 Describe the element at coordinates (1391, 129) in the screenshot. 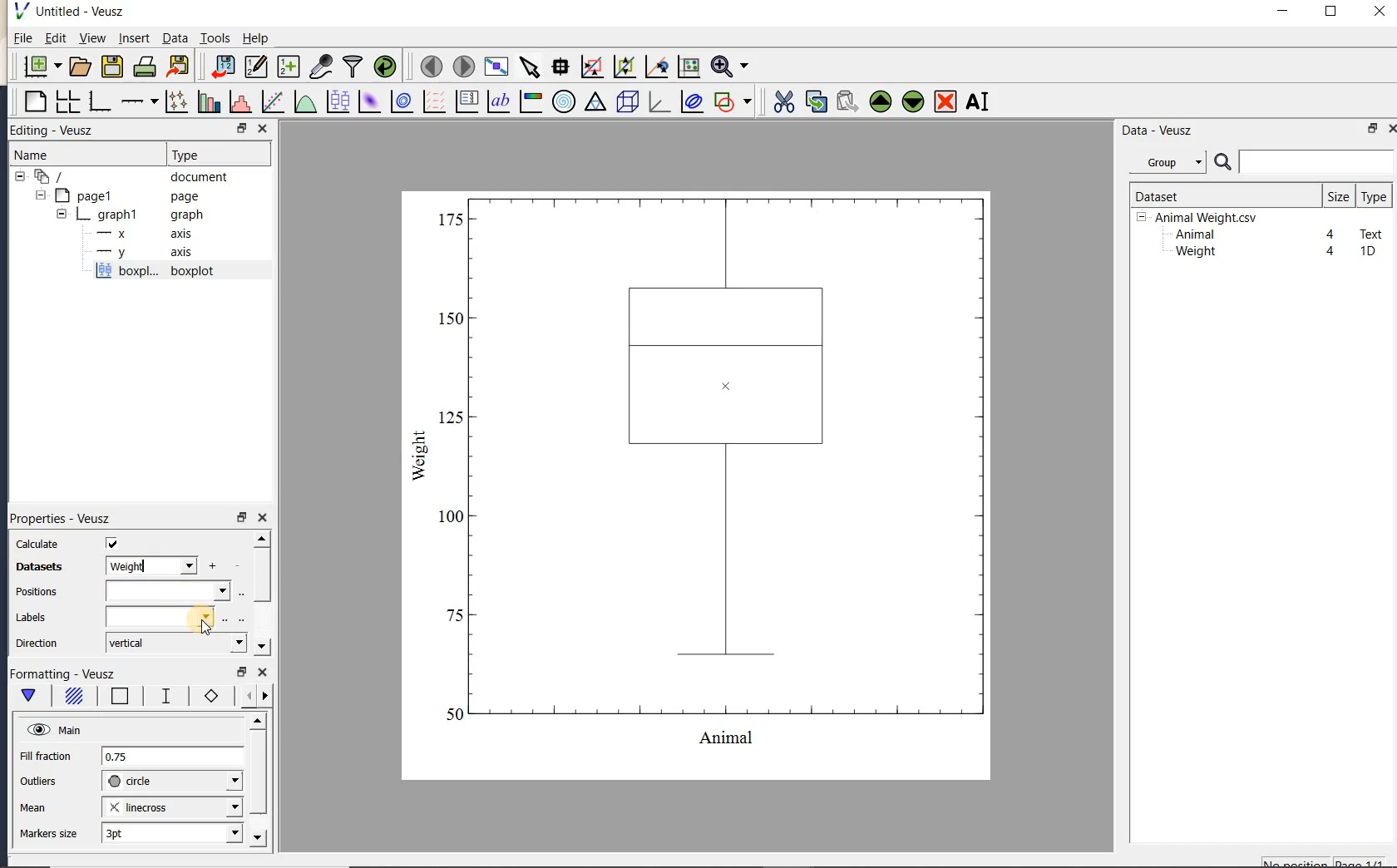

I see `close` at that location.